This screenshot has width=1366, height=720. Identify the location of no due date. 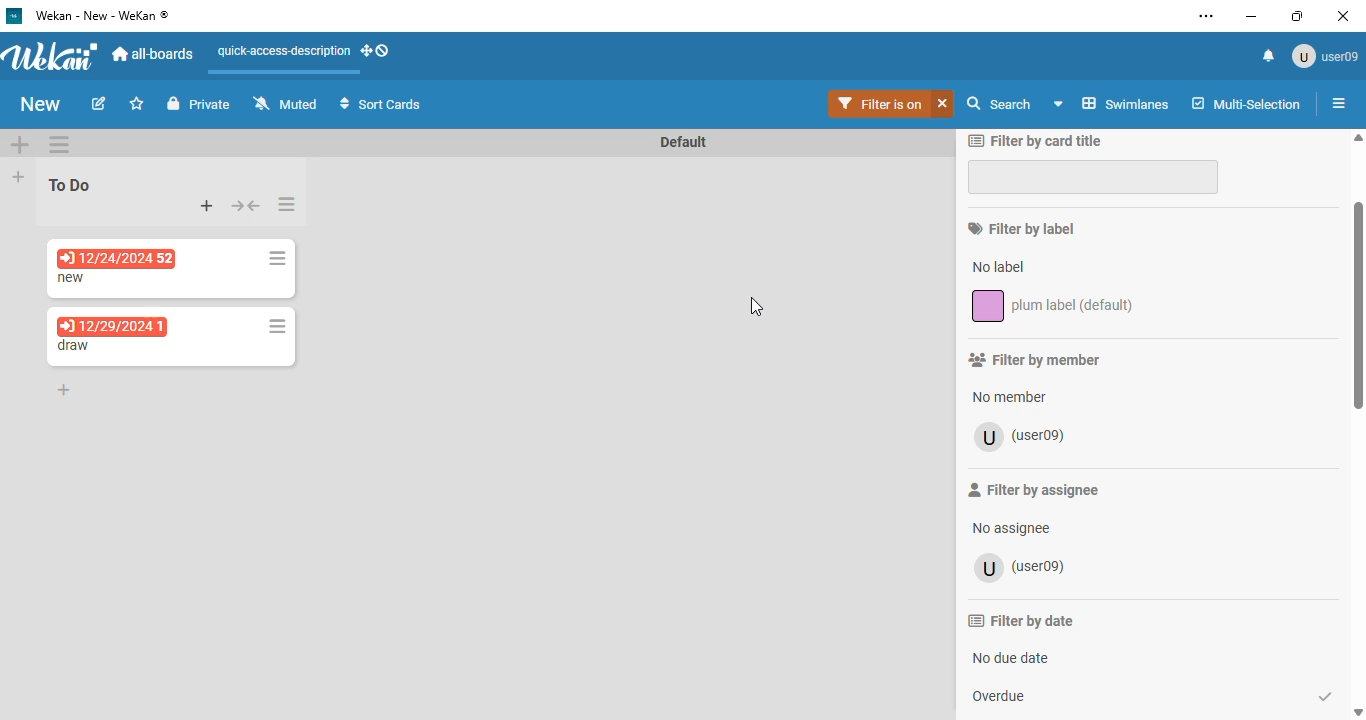
(1013, 657).